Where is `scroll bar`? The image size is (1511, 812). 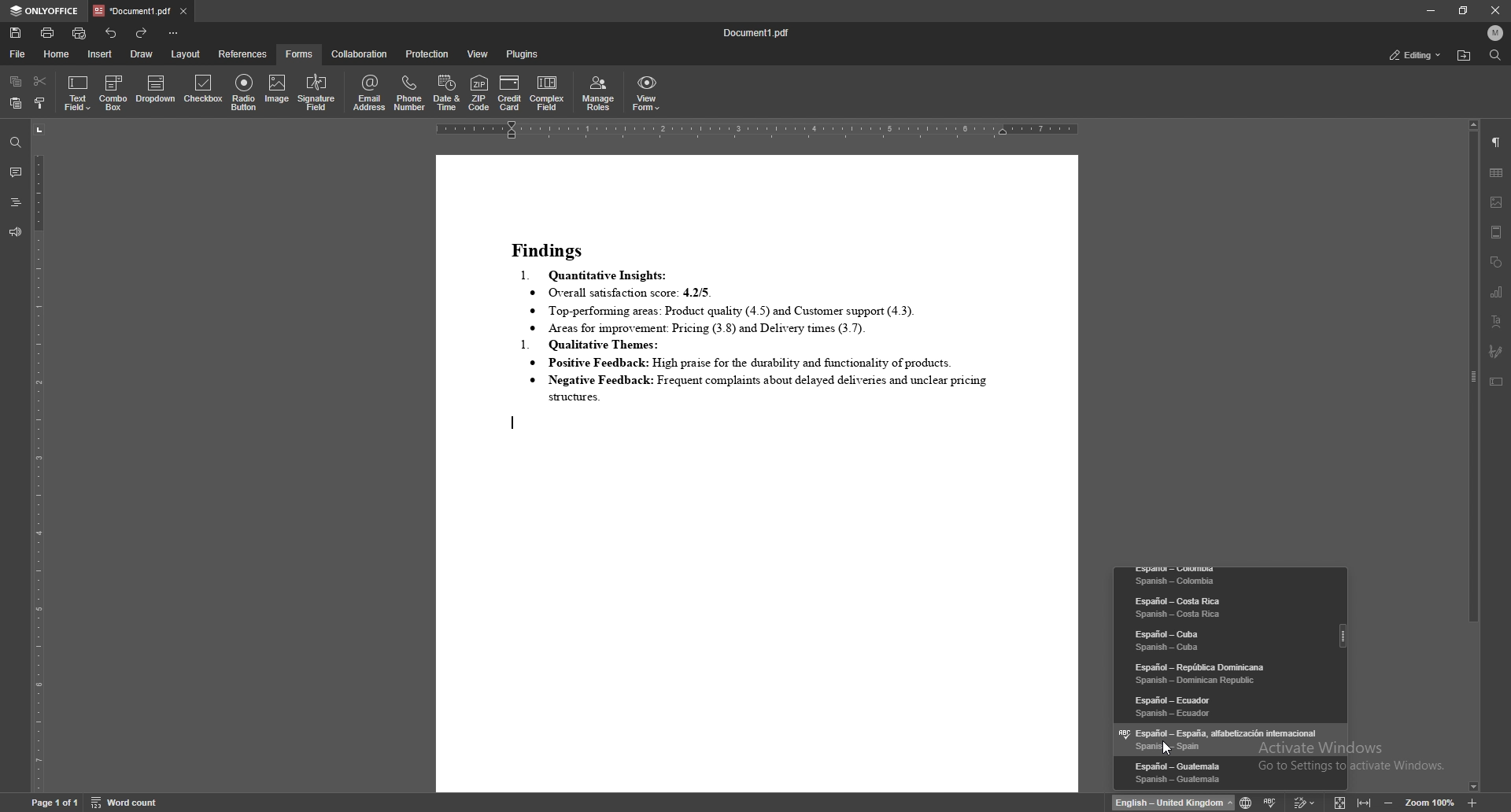
scroll bar is located at coordinates (1473, 458).